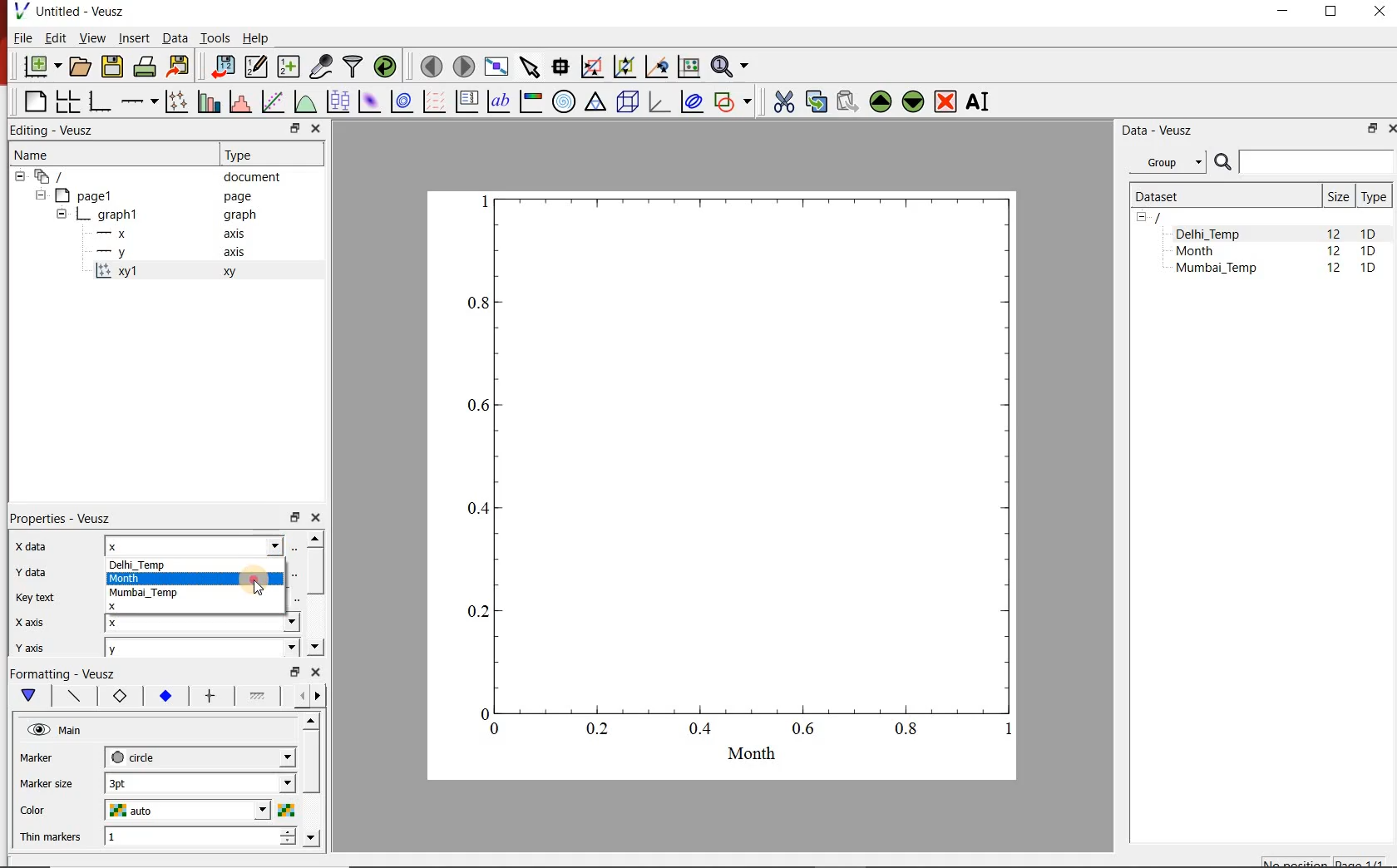 This screenshot has height=868, width=1397. I want to click on scrollbar, so click(314, 594).